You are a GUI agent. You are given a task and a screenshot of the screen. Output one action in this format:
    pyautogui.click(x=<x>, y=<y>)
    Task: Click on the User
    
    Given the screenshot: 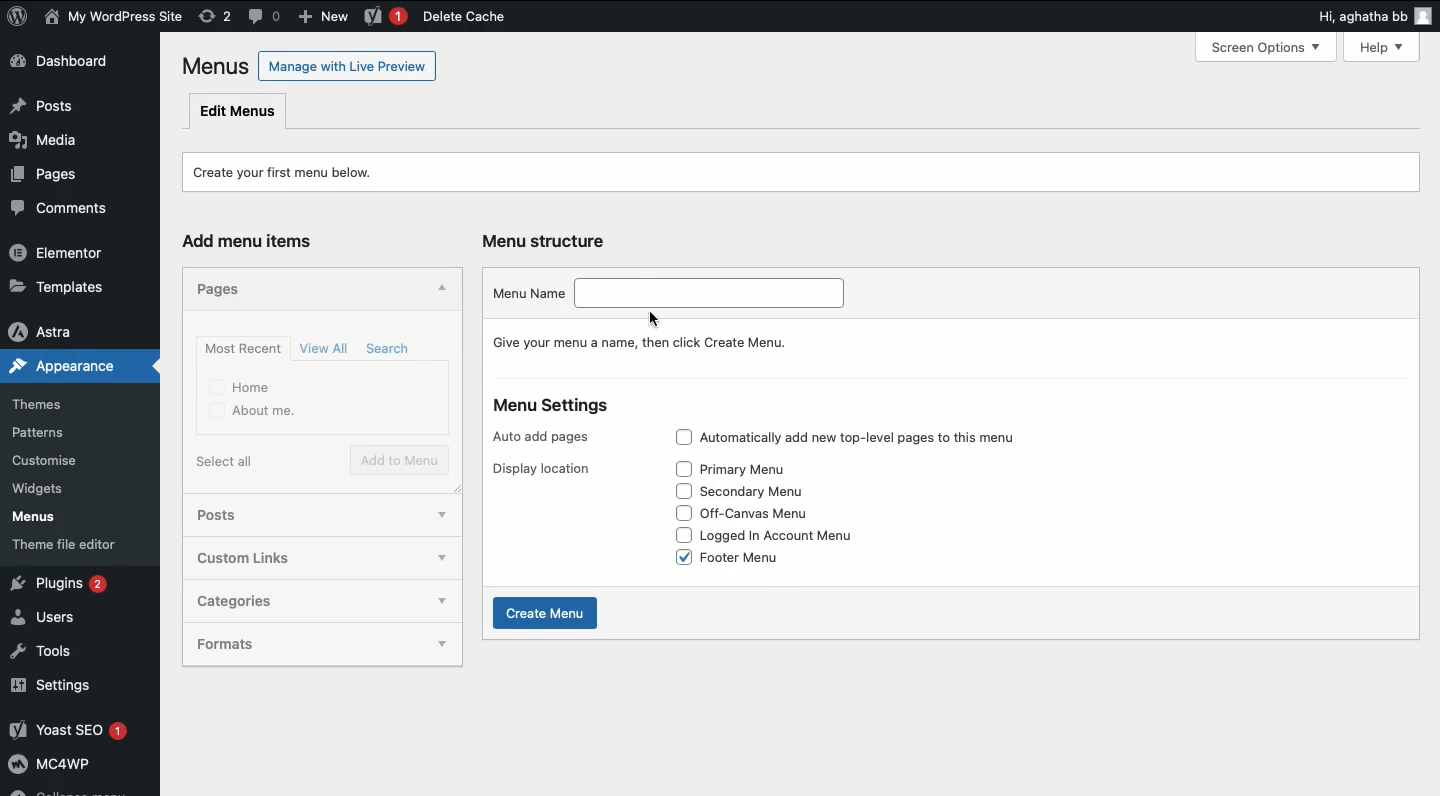 What is the action you would take?
    pyautogui.click(x=114, y=18)
    